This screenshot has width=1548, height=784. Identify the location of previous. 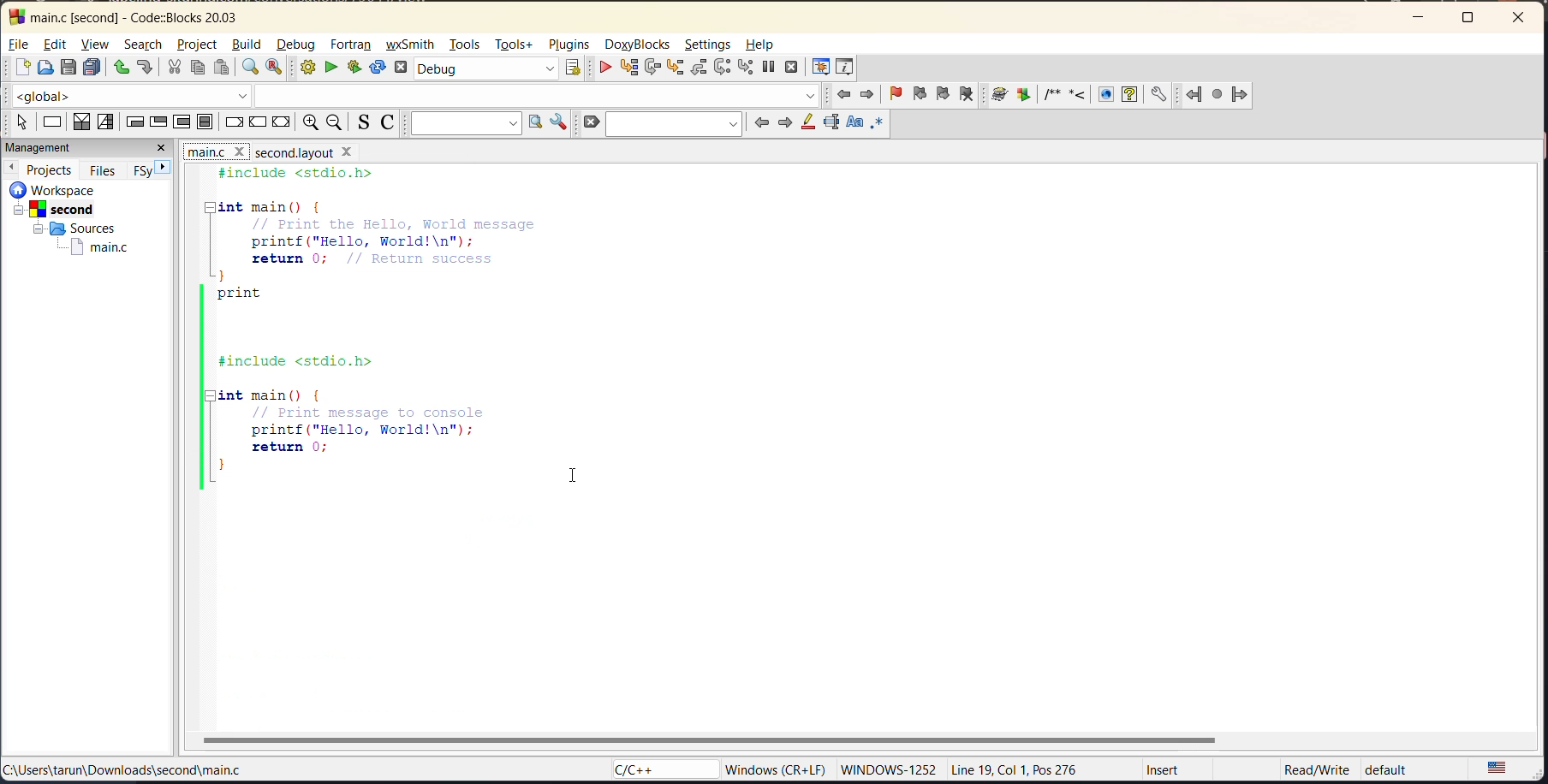
(13, 168).